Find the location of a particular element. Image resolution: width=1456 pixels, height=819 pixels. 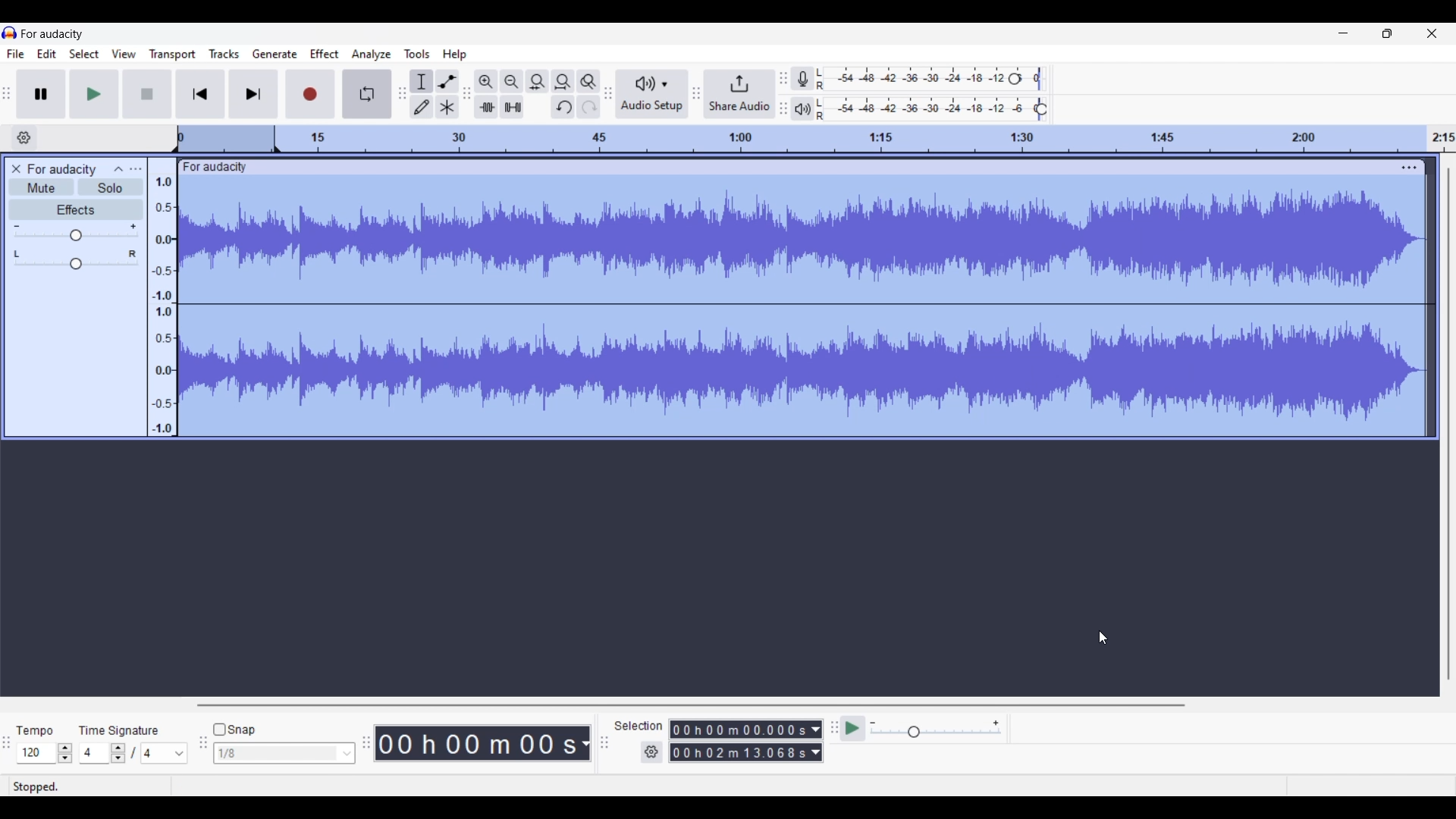

Trim audio outside selection is located at coordinates (486, 106).